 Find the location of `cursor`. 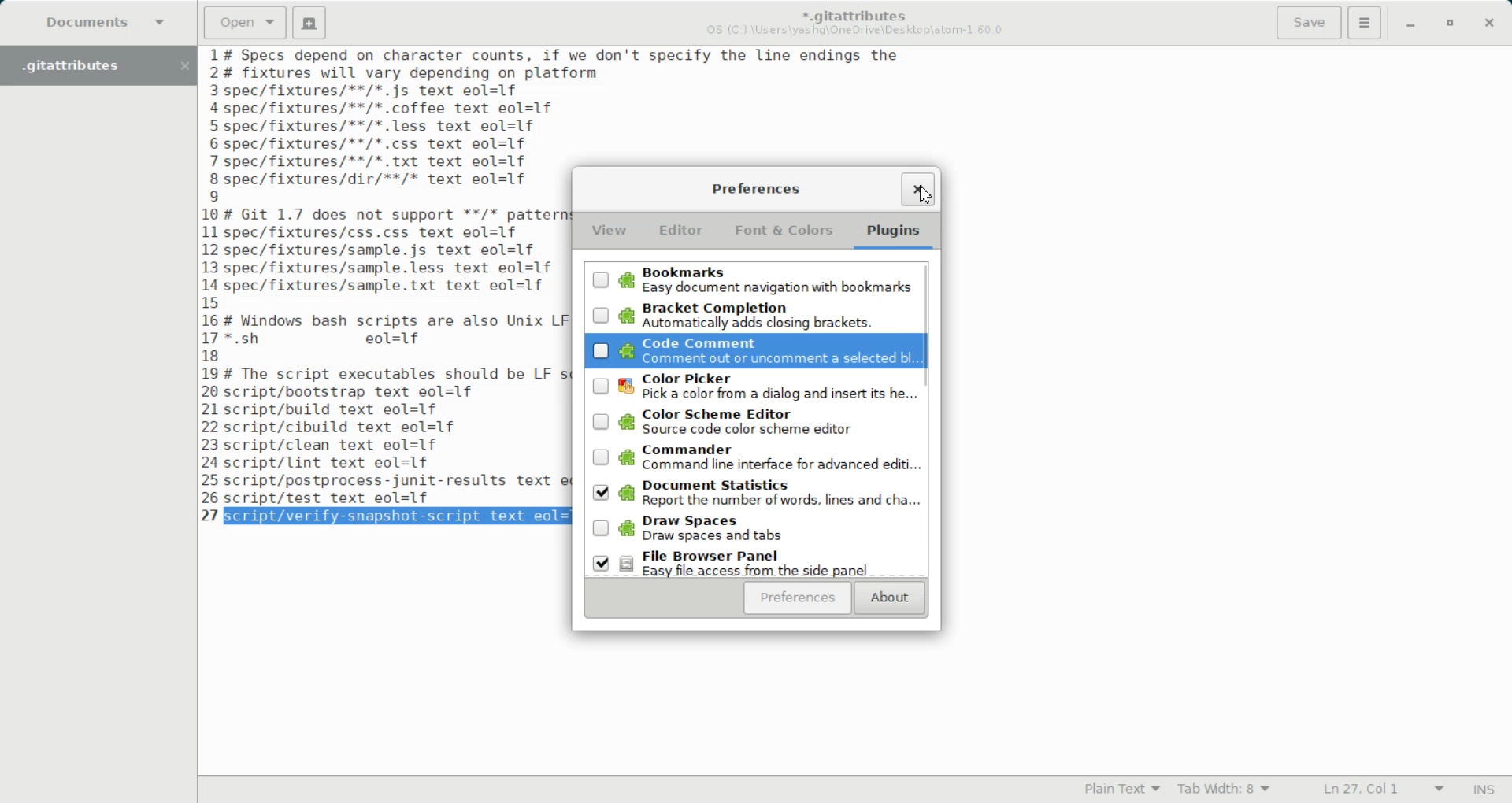

cursor is located at coordinates (923, 200).